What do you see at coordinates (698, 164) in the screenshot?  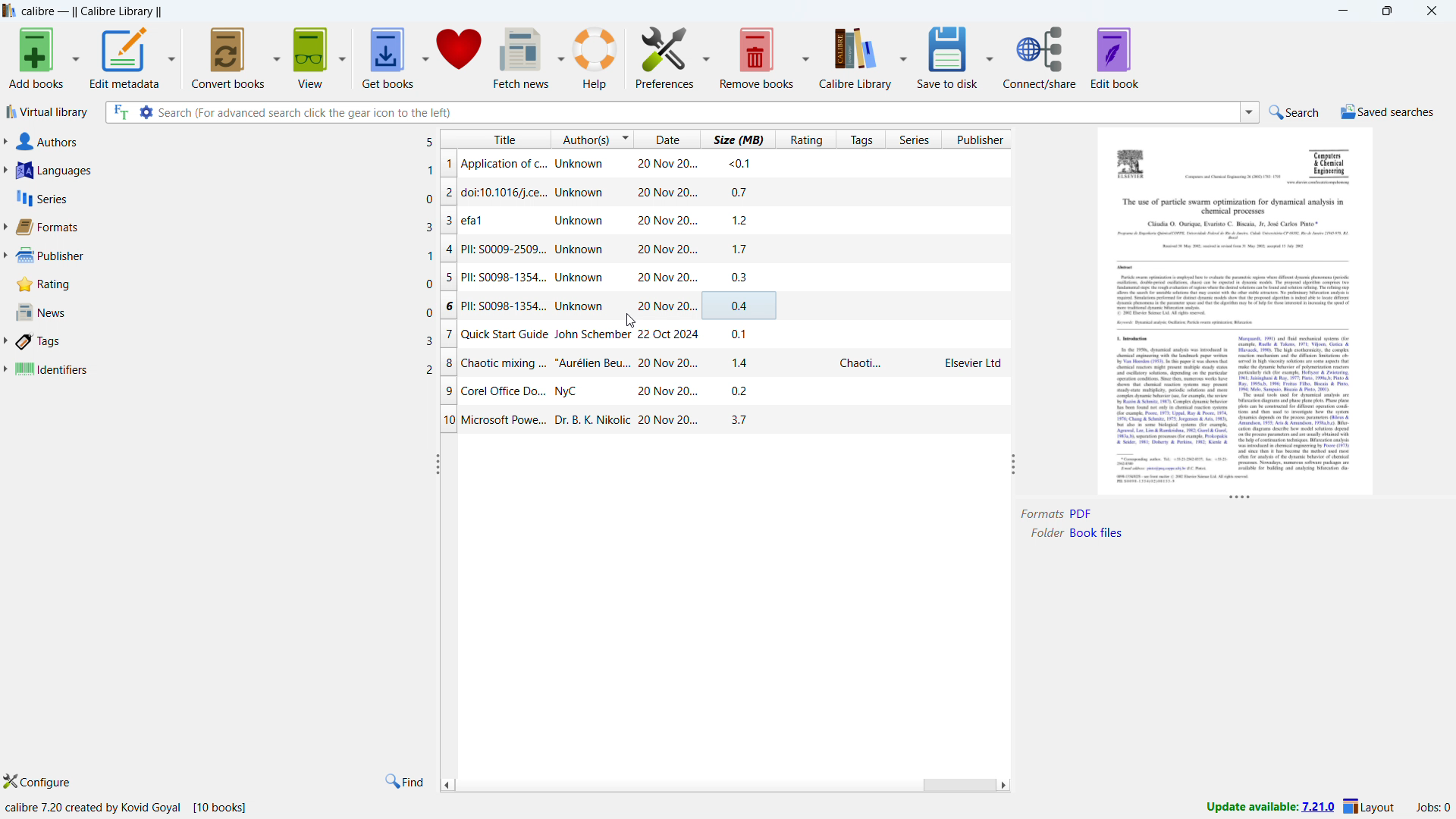 I see `Application of c.` at bounding box center [698, 164].